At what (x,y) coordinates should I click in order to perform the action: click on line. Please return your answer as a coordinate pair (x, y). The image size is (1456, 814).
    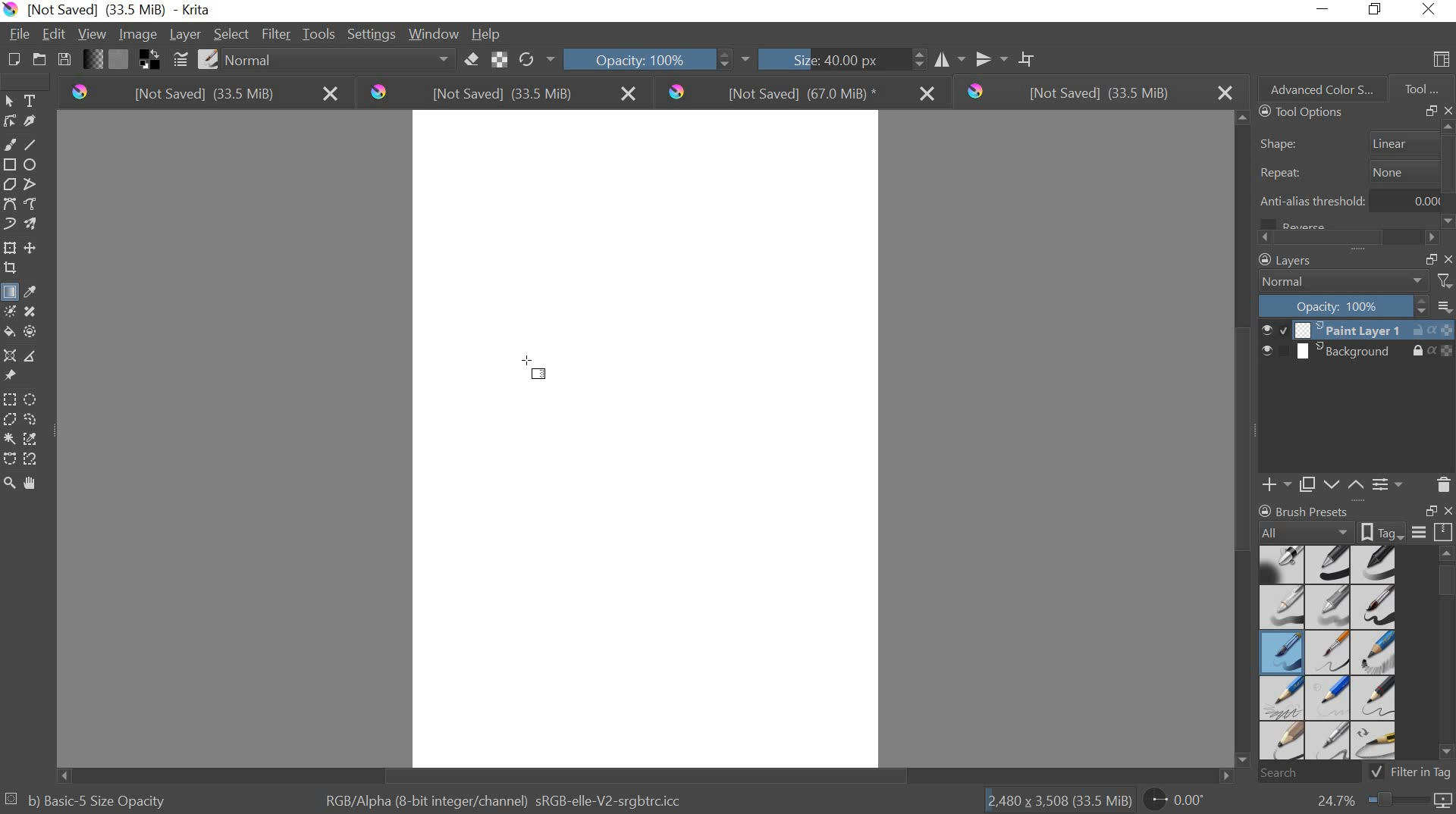
    Looking at the image, I should click on (35, 146).